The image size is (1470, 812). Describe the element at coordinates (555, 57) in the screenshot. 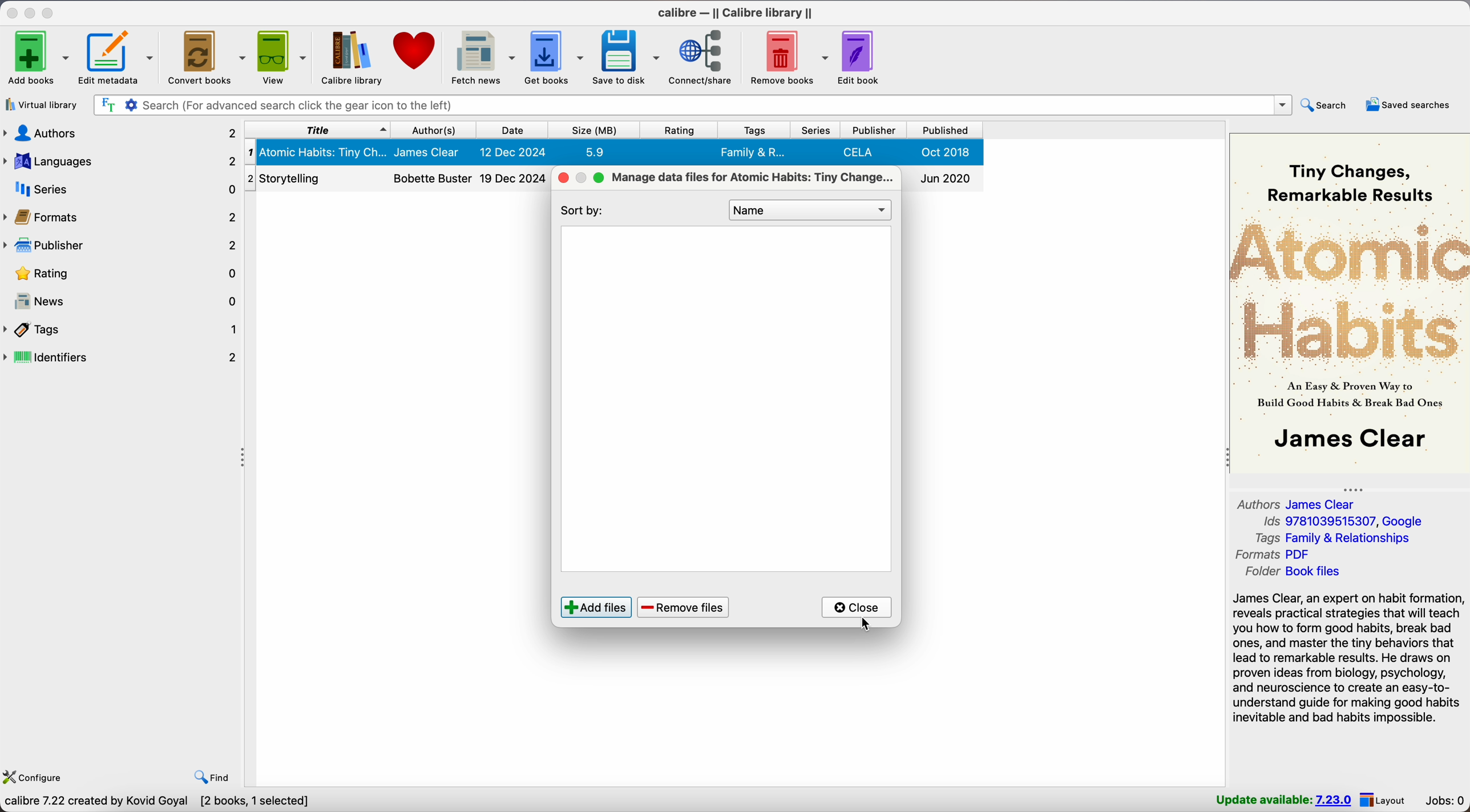

I see `get books` at that location.